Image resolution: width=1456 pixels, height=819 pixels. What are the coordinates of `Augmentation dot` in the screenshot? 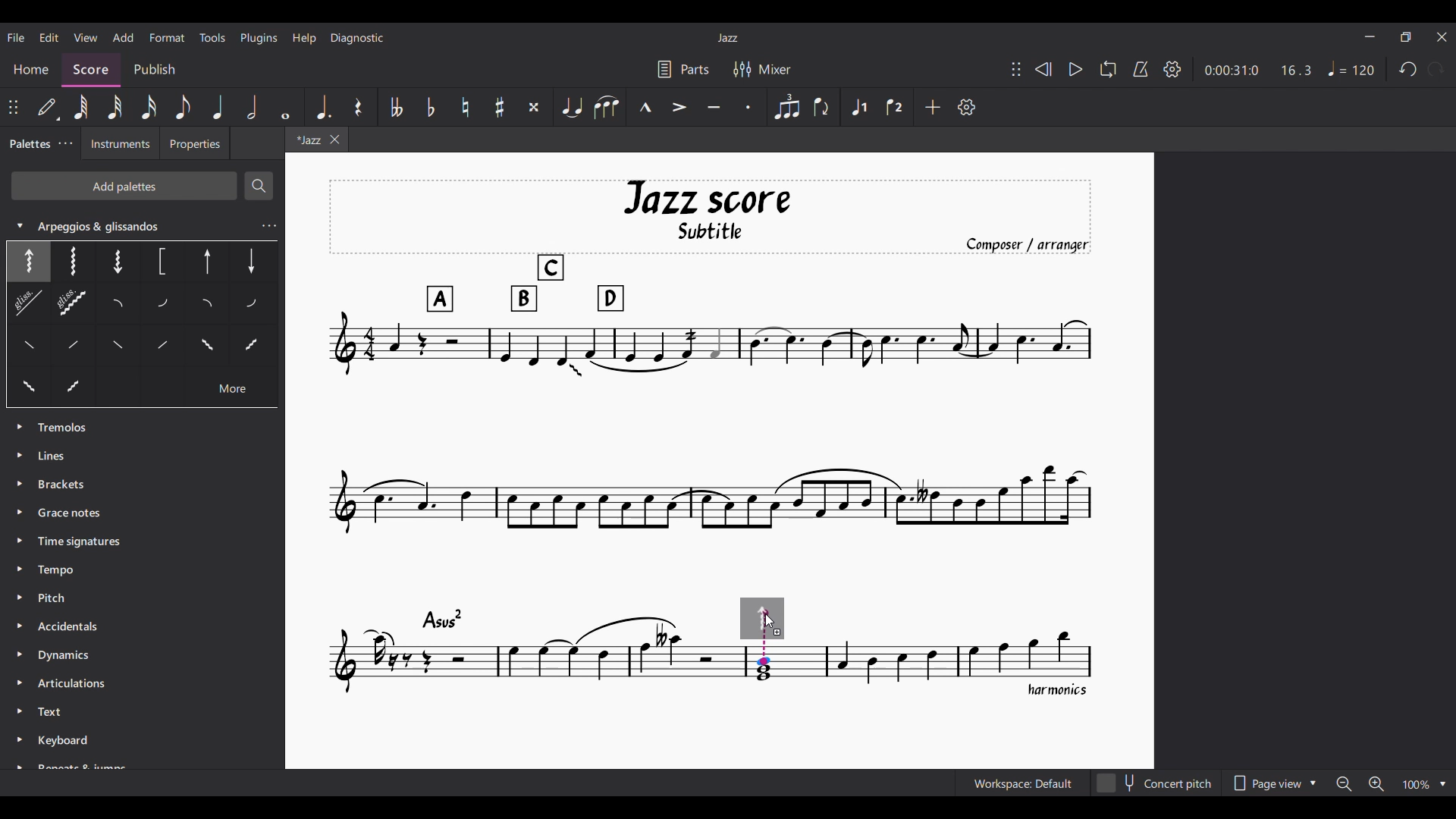 It's located at (323, 108).